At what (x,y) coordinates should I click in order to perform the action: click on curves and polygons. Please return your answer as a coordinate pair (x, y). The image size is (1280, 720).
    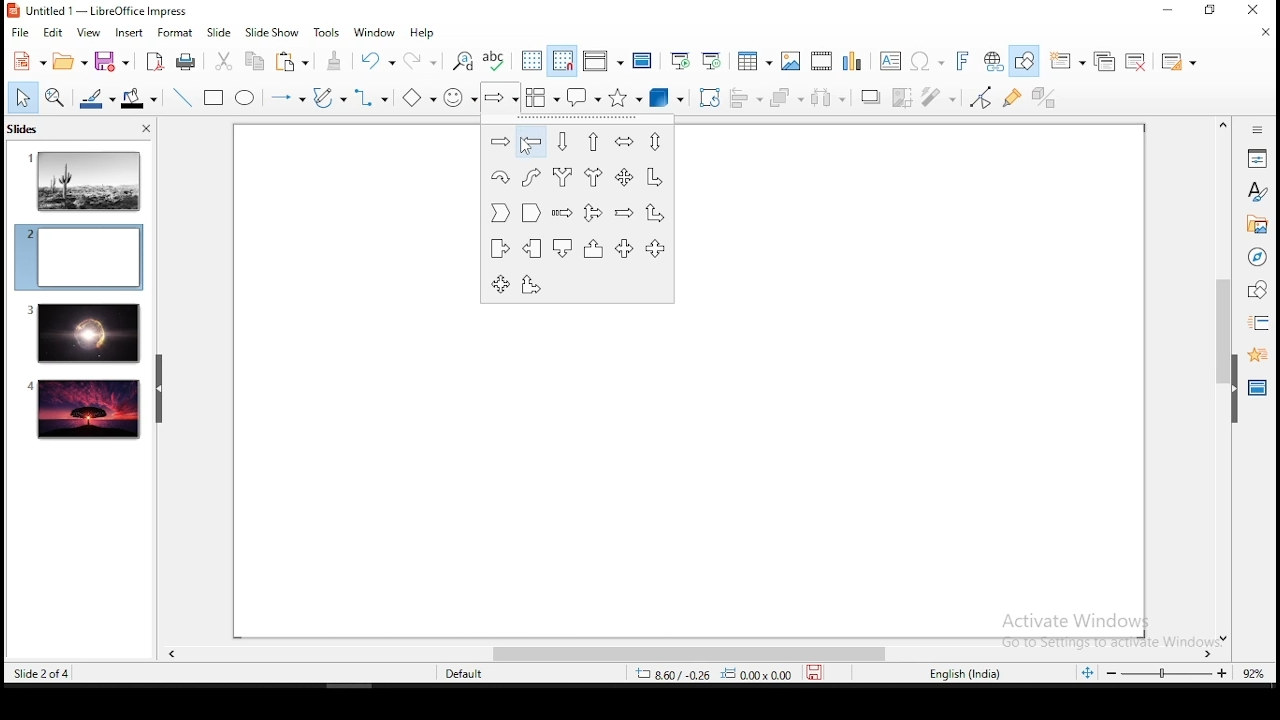
    Looking at the image, I should click on (327, 98).